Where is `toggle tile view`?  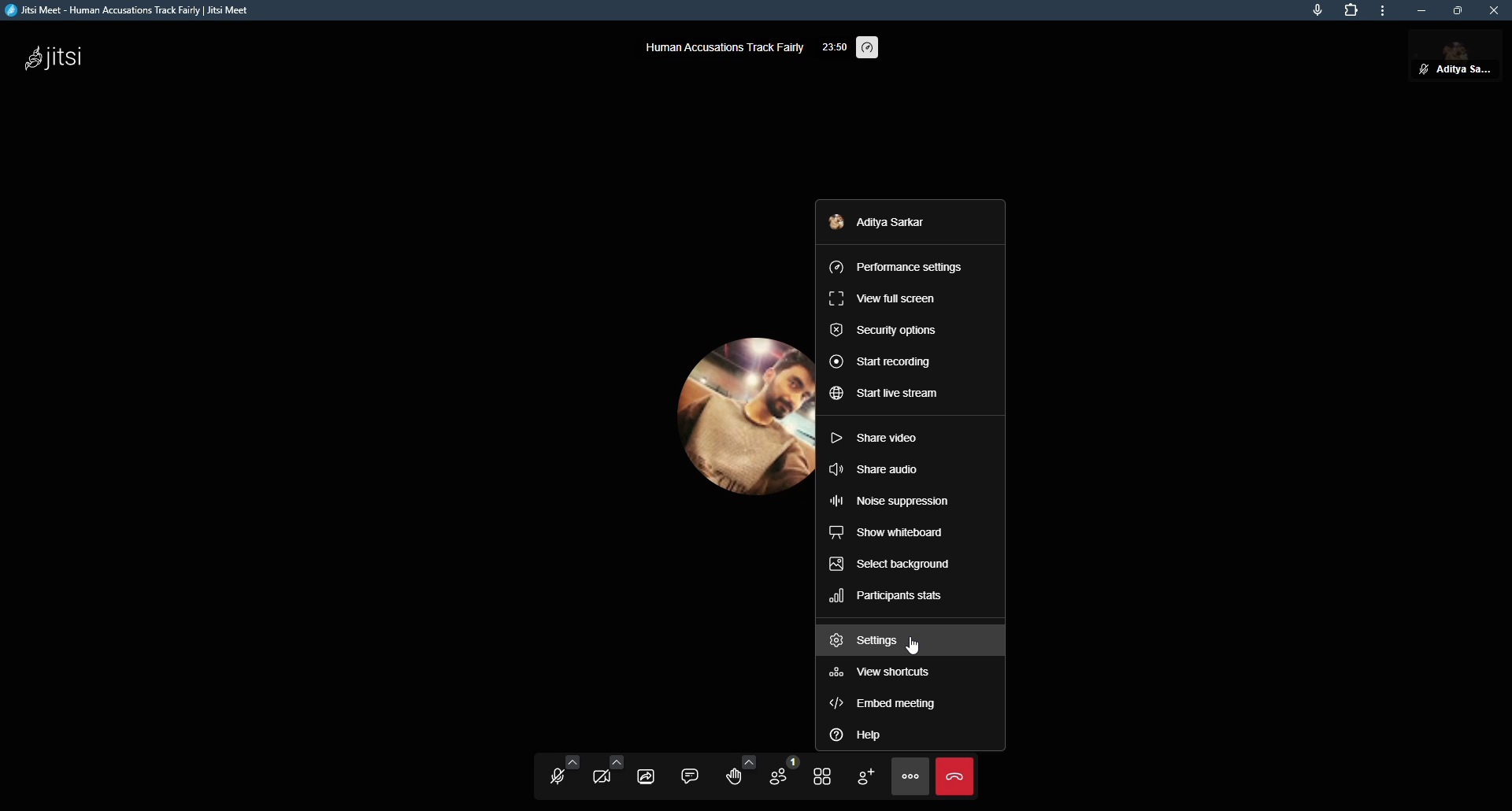
toggle tile view is located at coordinates (822, 776).